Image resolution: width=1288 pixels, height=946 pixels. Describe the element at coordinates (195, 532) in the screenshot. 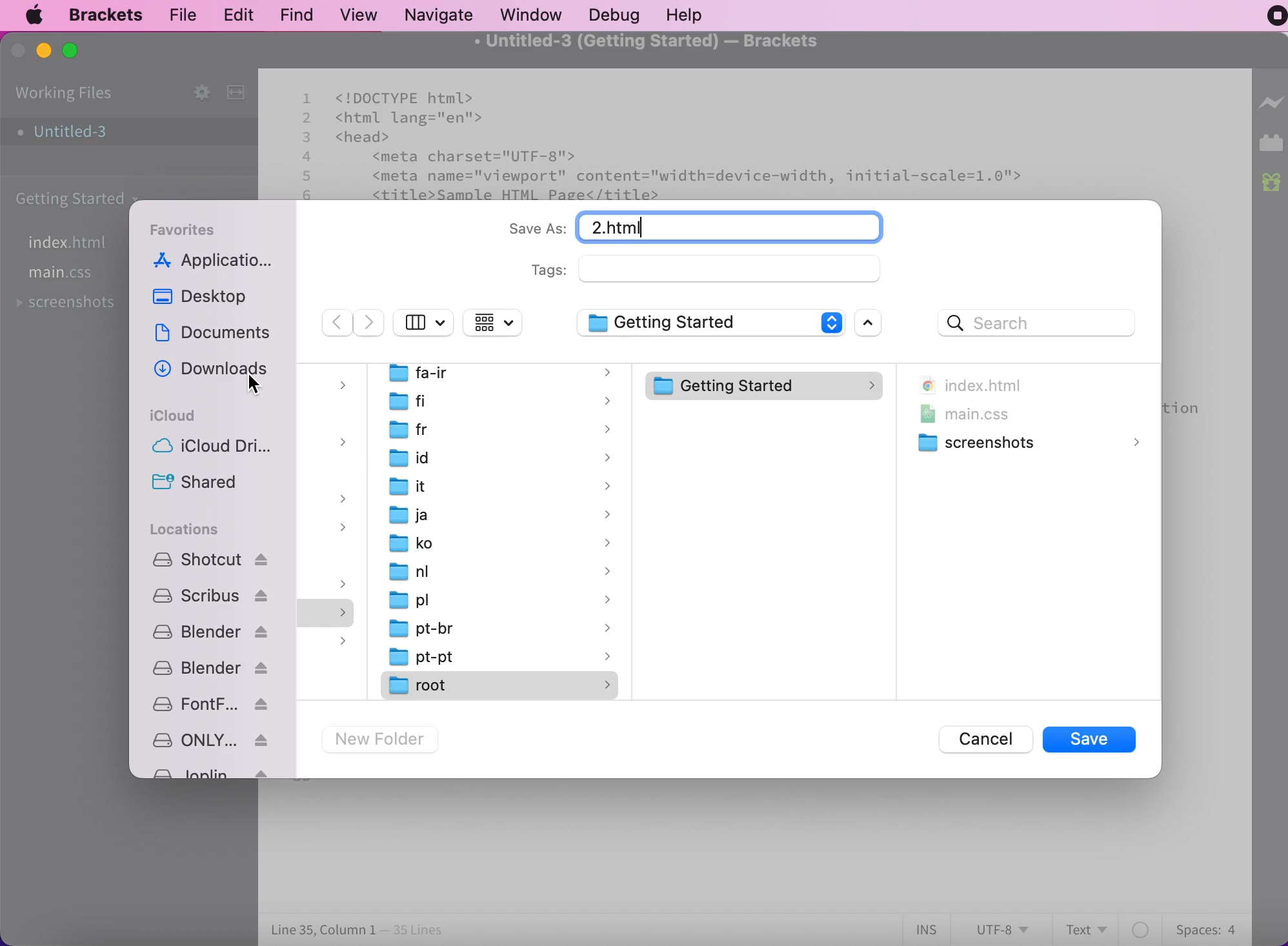

I see `locations` at that location.